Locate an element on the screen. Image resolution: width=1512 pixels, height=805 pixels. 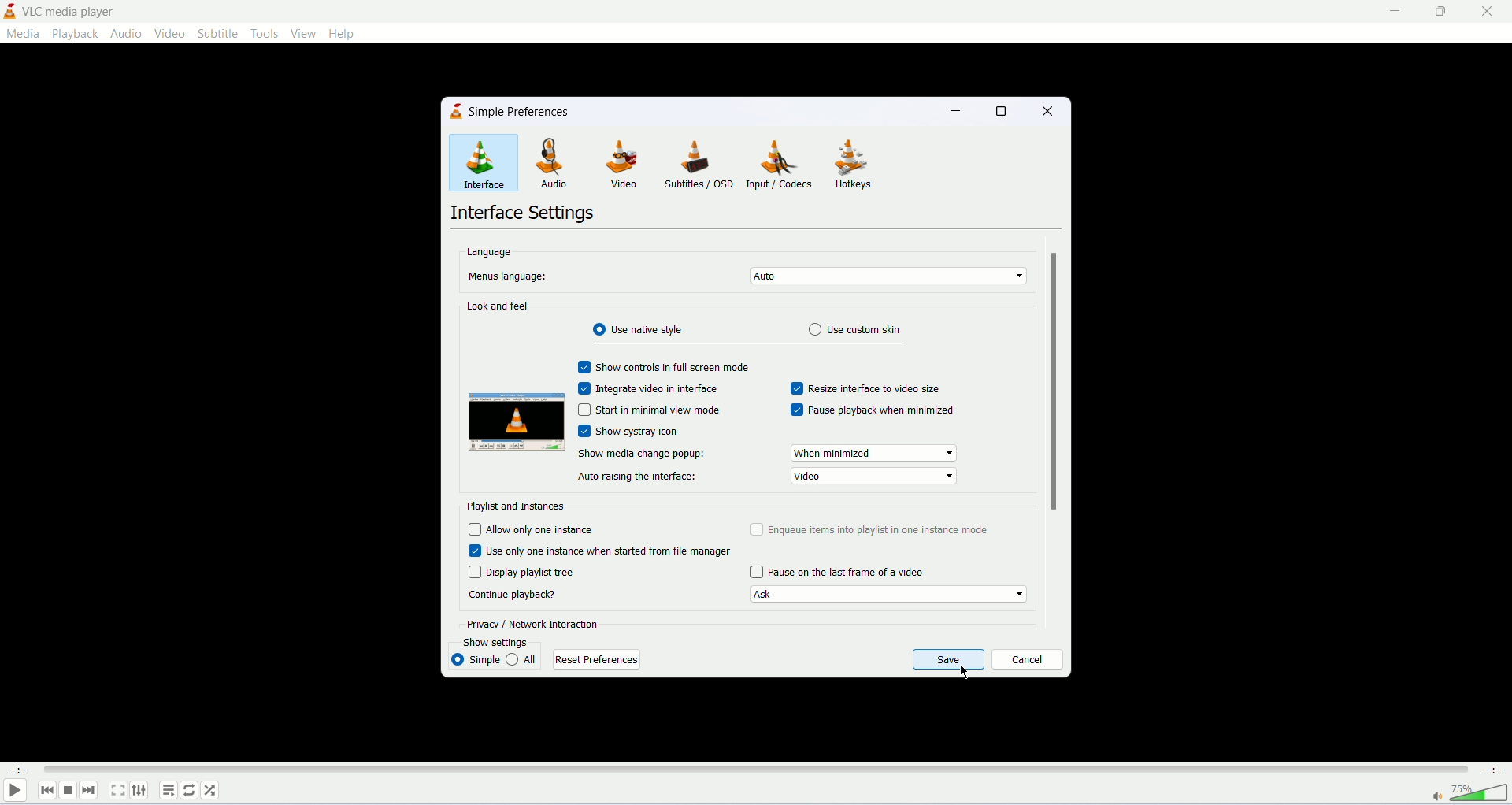
pause playback when minimized is located at coordinates (880, 411).